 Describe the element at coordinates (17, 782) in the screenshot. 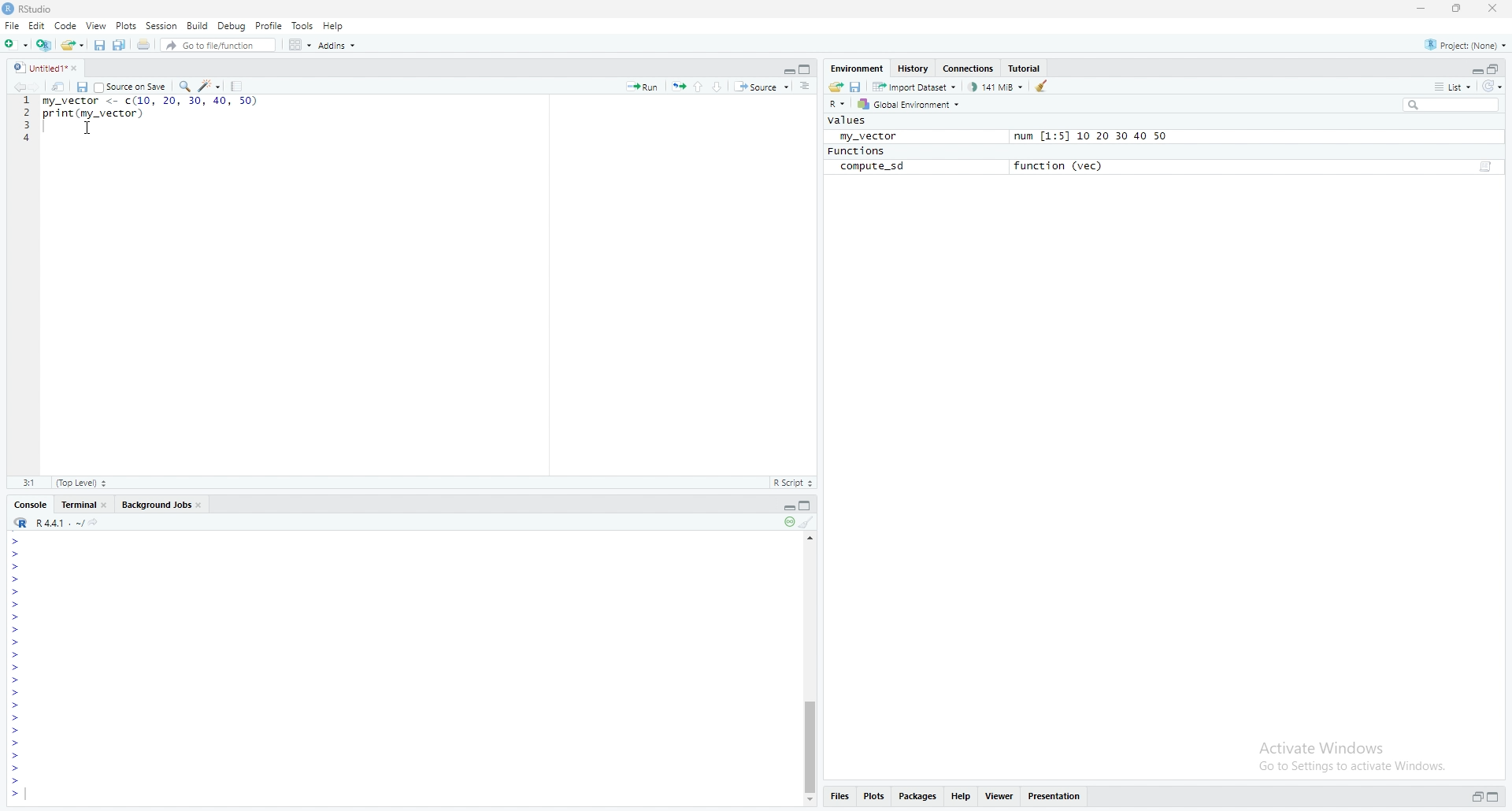

I see `Prompt cursor` at that location.